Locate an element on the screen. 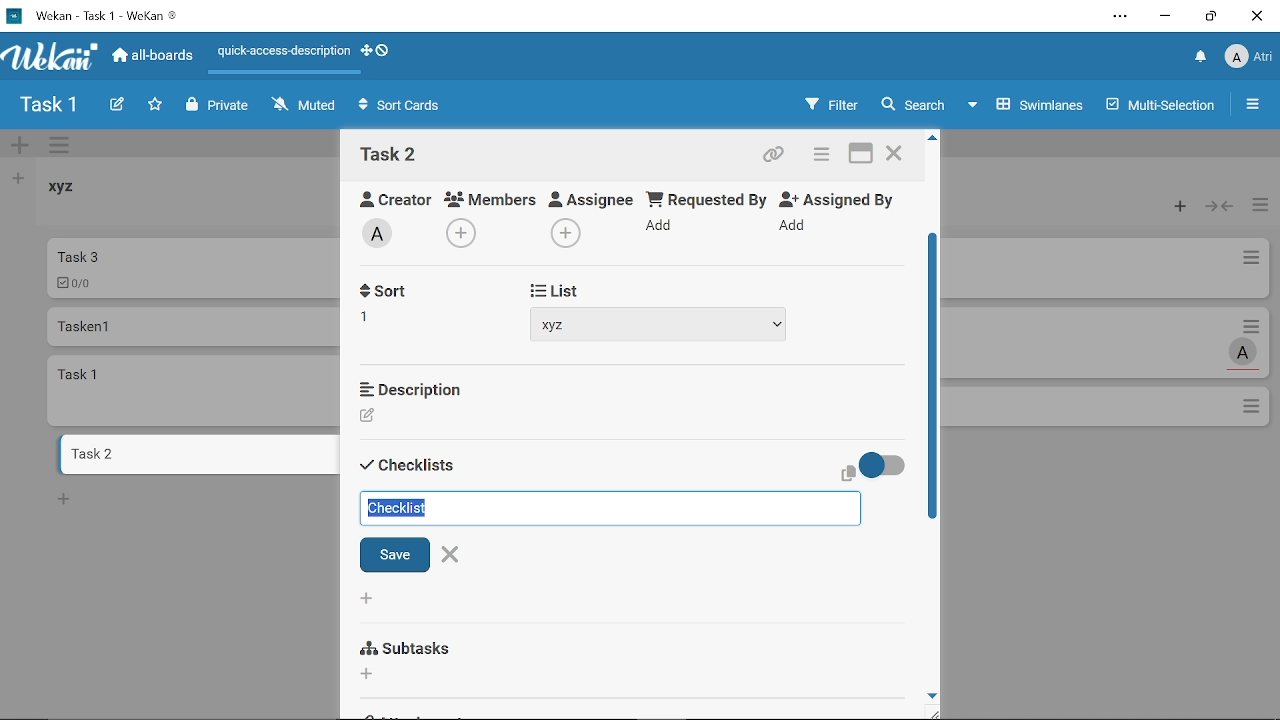 The width and height of the screenshot is (1280, 720). copy text to clipboard is located at coordinates (848, 478).